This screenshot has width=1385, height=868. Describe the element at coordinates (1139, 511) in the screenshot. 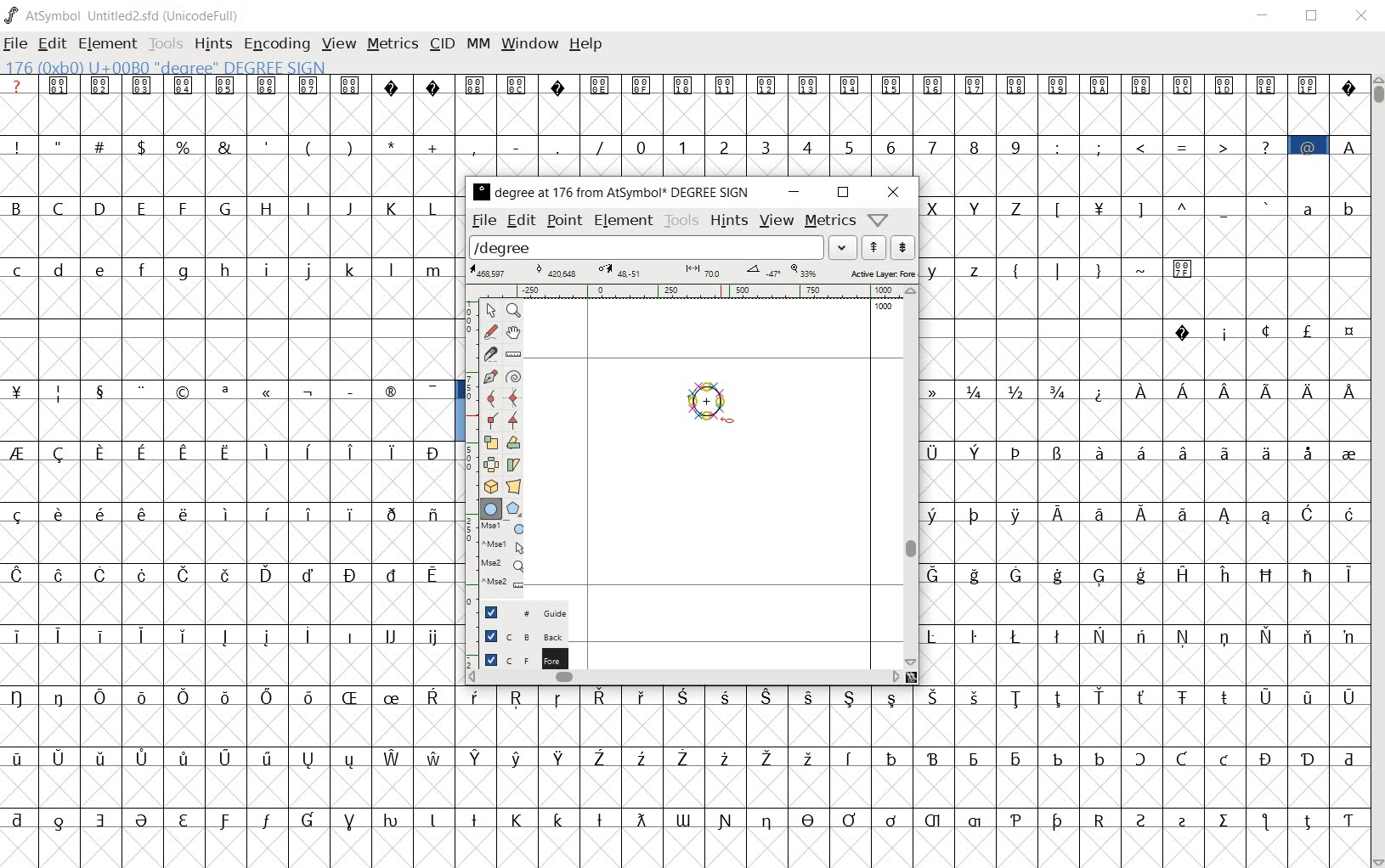

I see `special letters` at that location.